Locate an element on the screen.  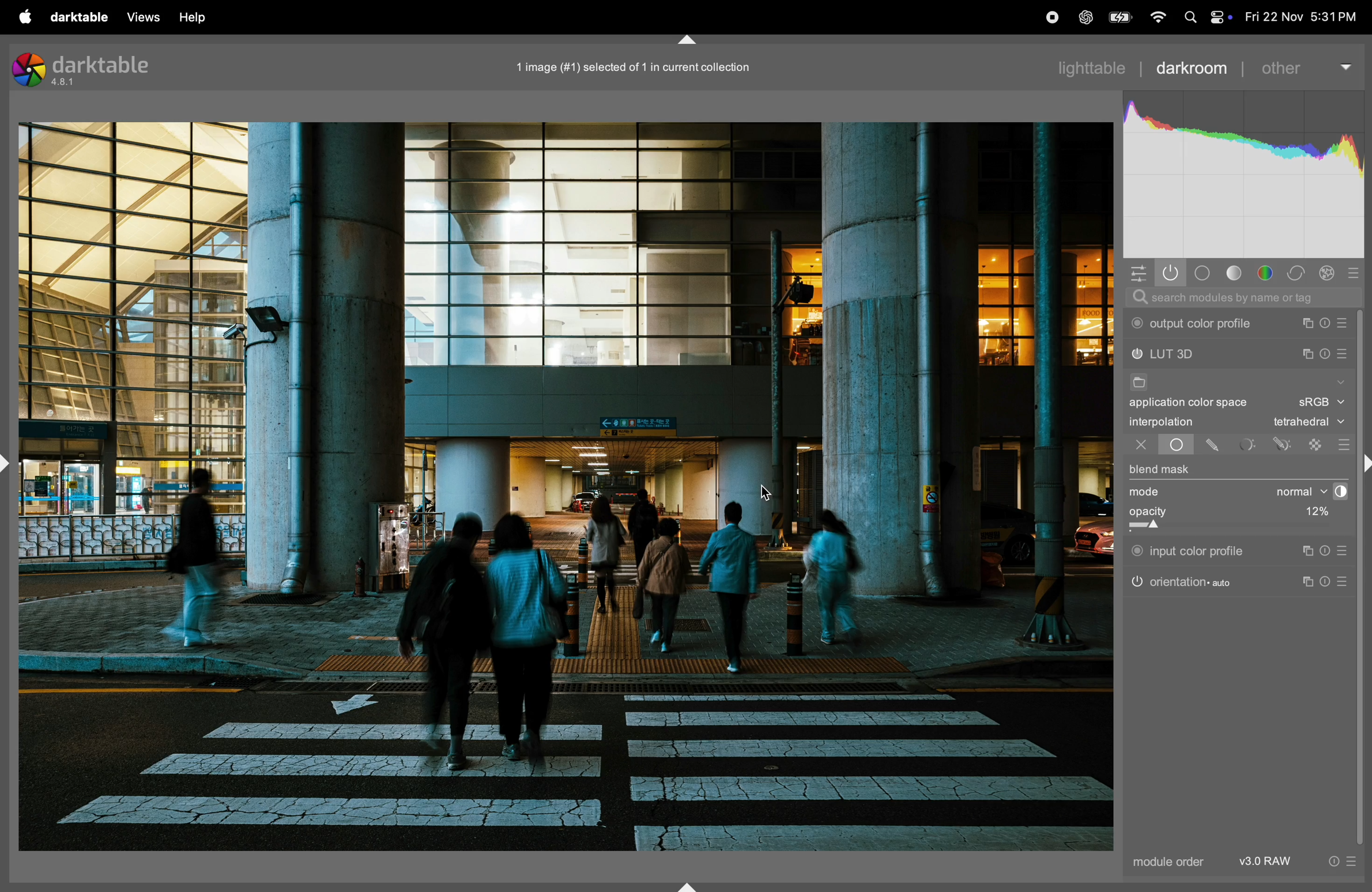
darktable is located at coordinates (75, 16).